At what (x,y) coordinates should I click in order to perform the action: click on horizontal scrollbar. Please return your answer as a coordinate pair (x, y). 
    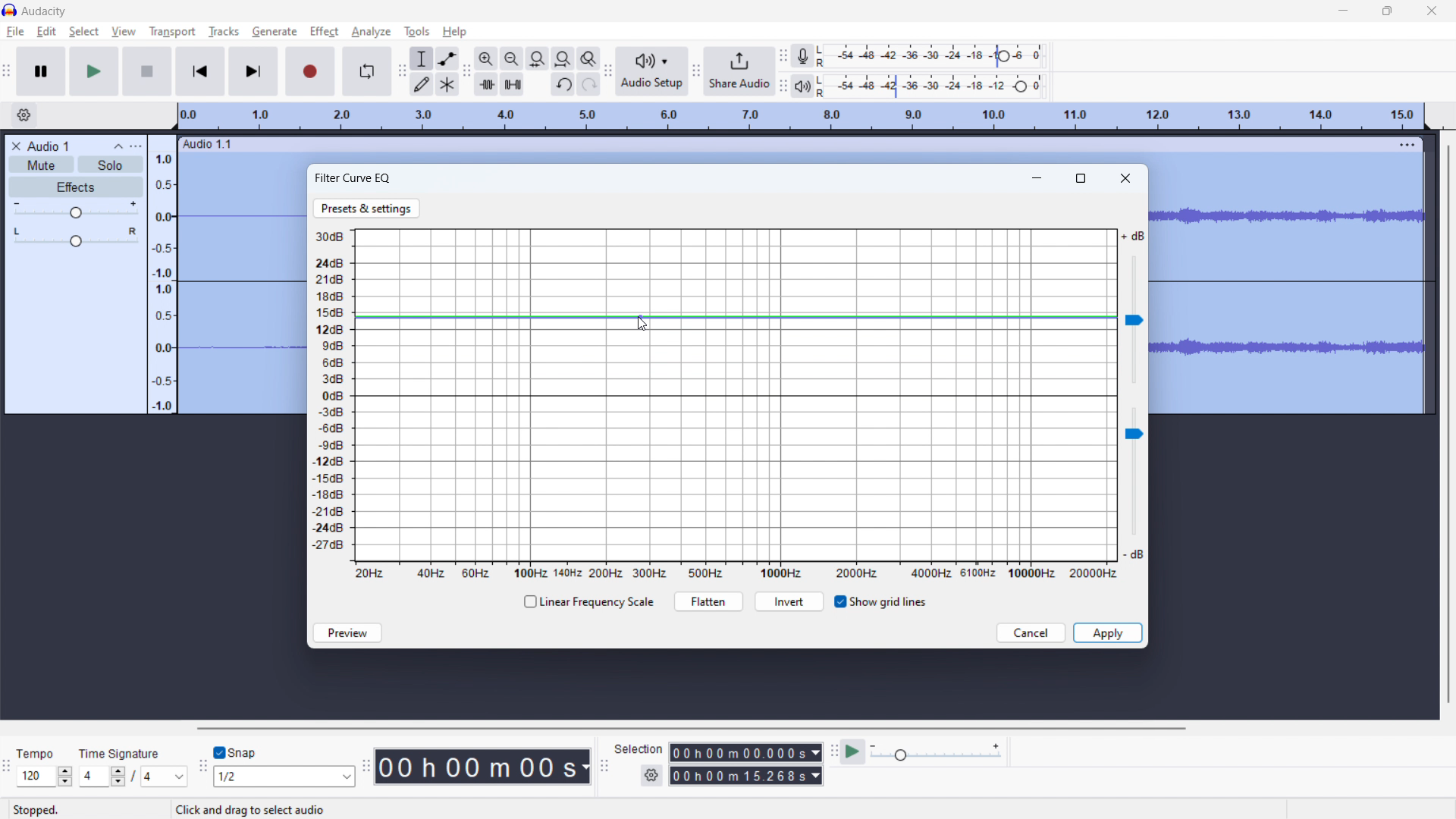
    Looking at the image, I should click on (689, 728).